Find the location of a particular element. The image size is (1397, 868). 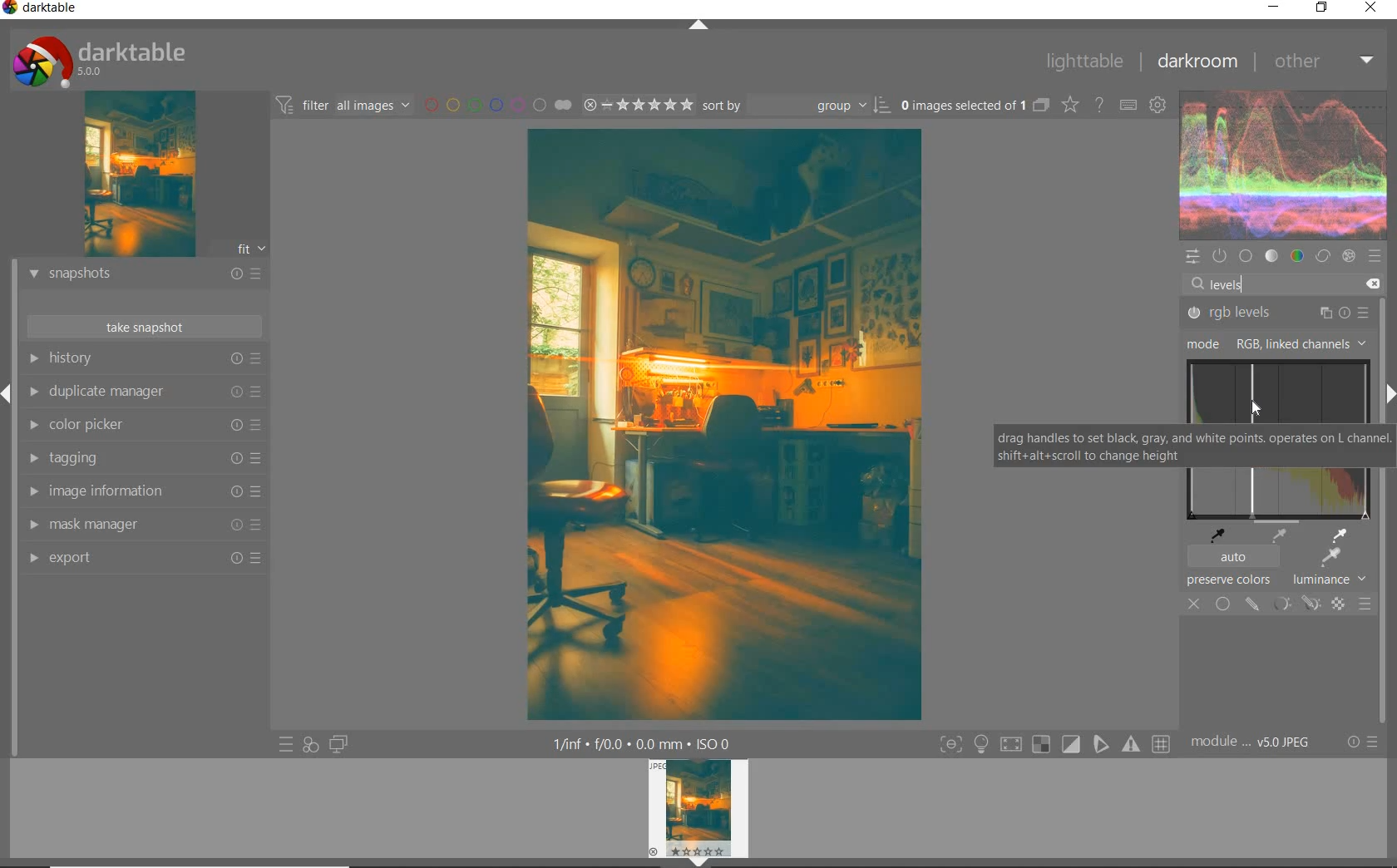

effect is located at coordinates (1350, 257).